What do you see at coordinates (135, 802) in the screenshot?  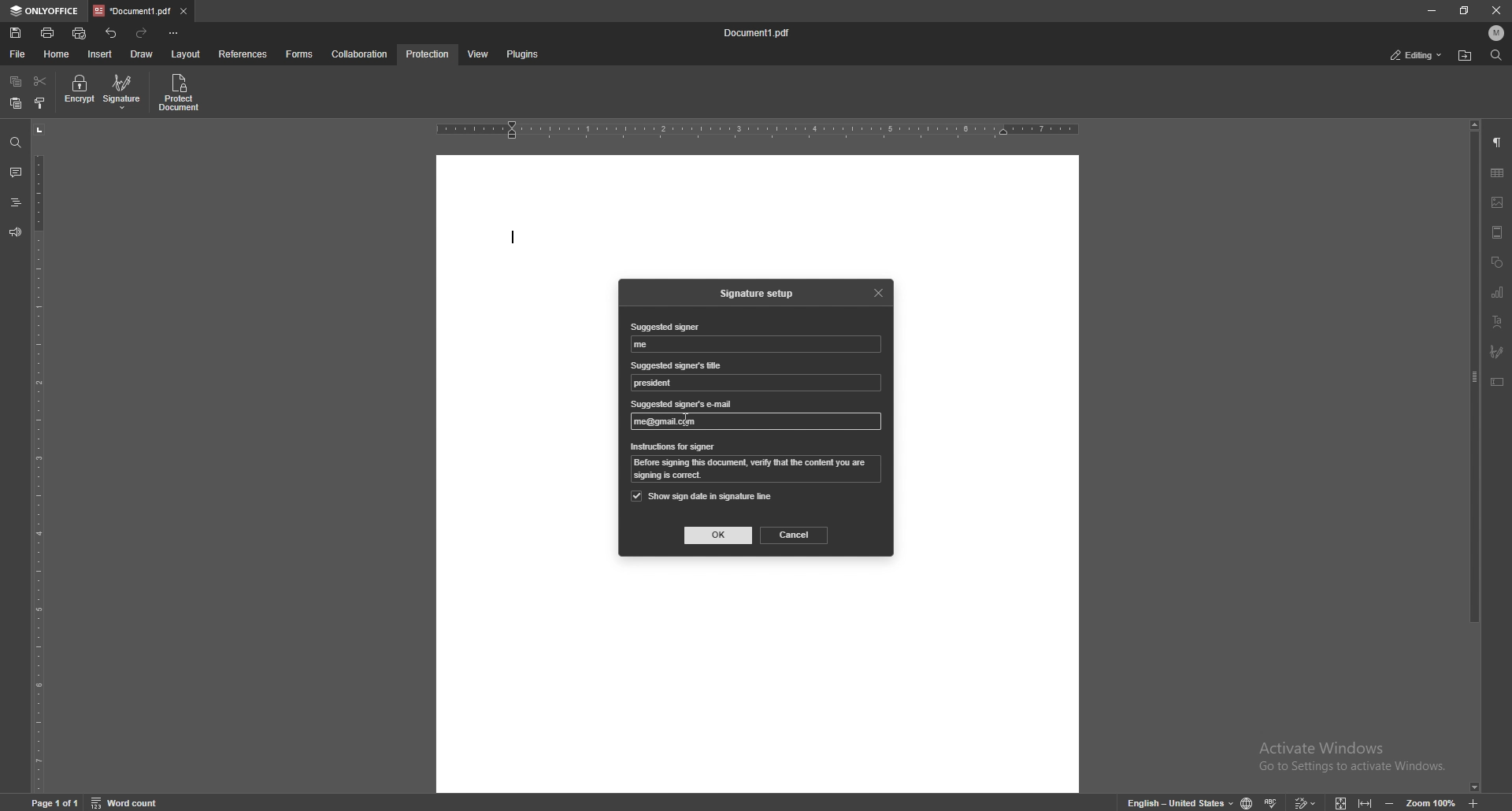 I see `word count` at bounding box center [135, 802].